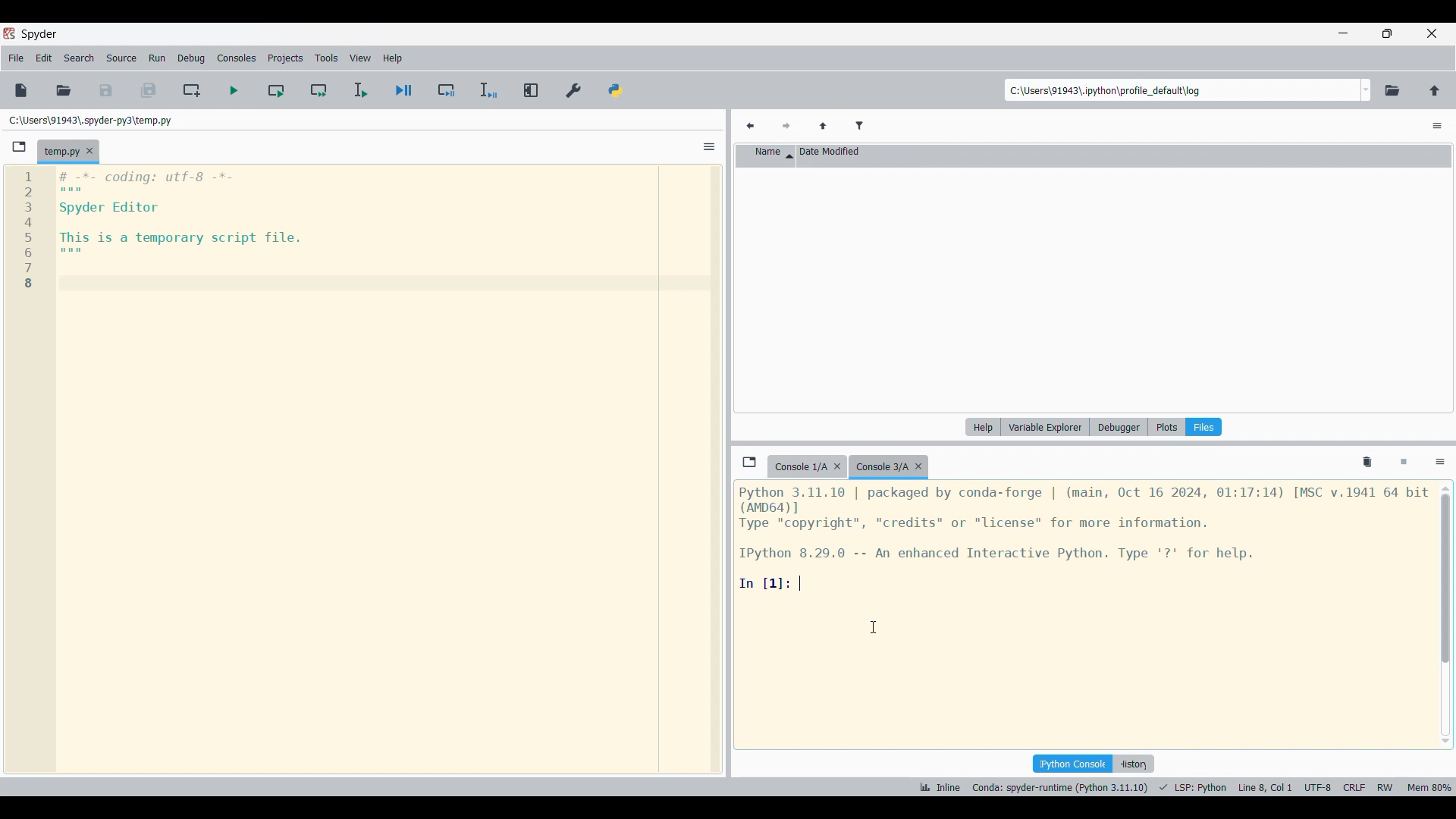 Image resolution: width=1456 pixels, height=819 pixels. What do you see at coordinates (1133, 764) in the screenshot?
I see `History` at bounding box center [1133, 764].